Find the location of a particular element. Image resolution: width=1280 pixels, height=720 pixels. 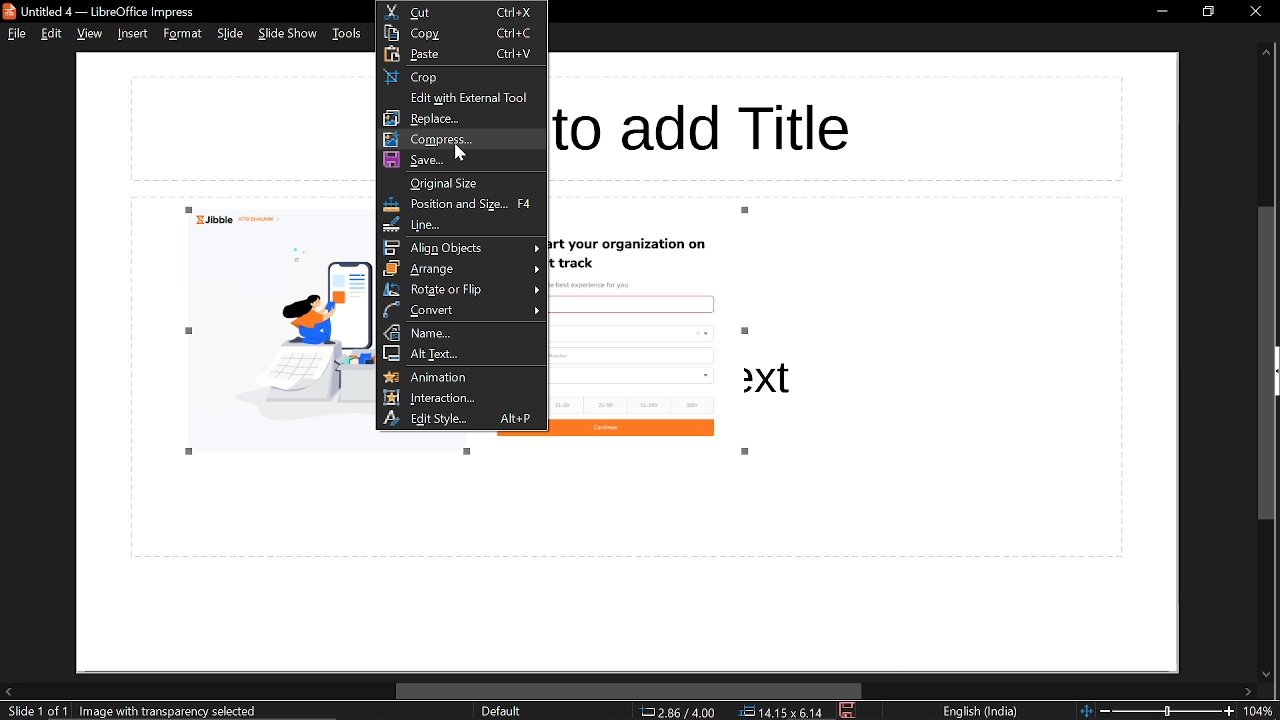

vertical scrollbar is located at coordinates (1268, 364).